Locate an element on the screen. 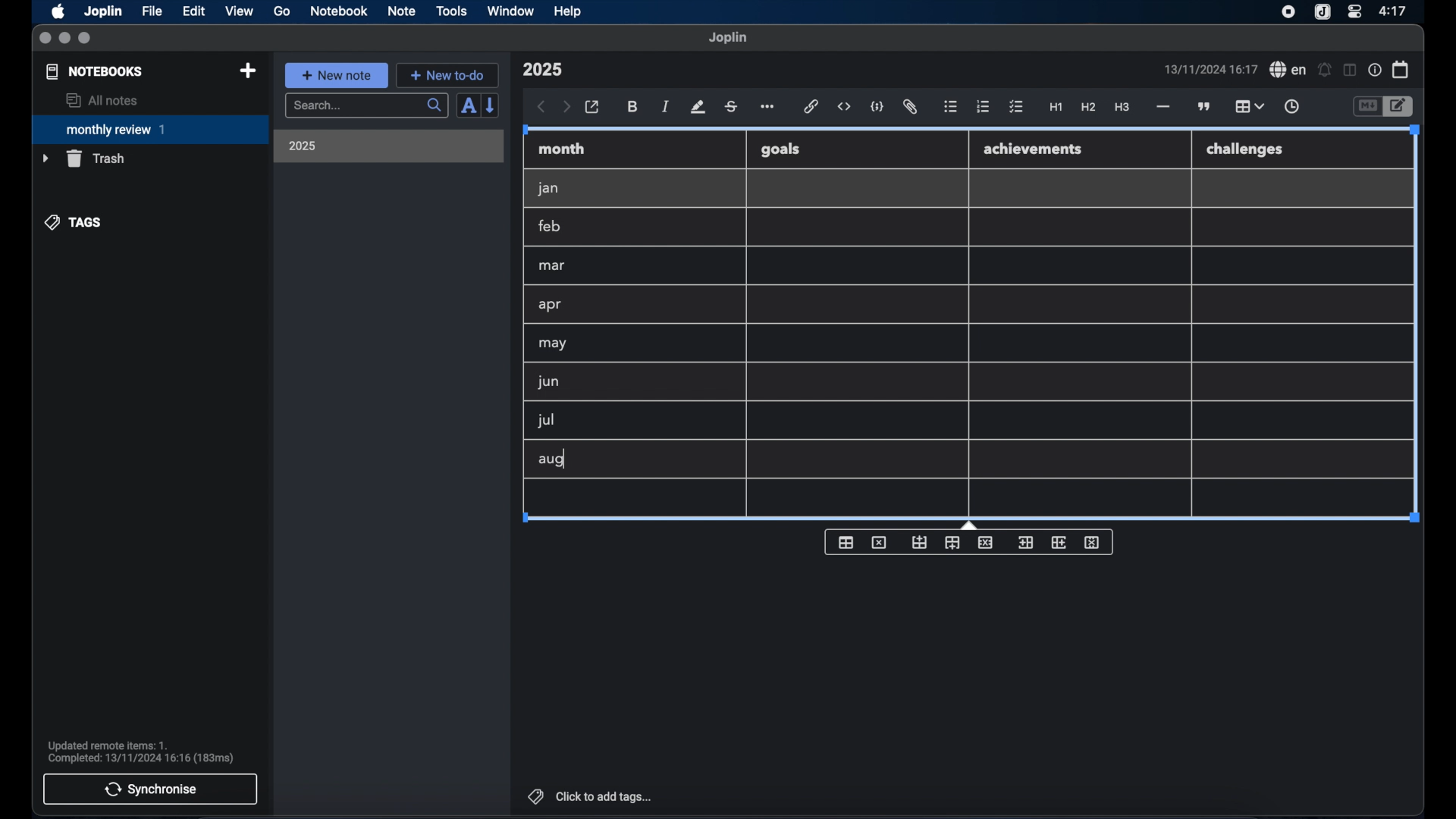 The height and width of the screenshot is (819, 1456). month is located at coordinates (562, 149).